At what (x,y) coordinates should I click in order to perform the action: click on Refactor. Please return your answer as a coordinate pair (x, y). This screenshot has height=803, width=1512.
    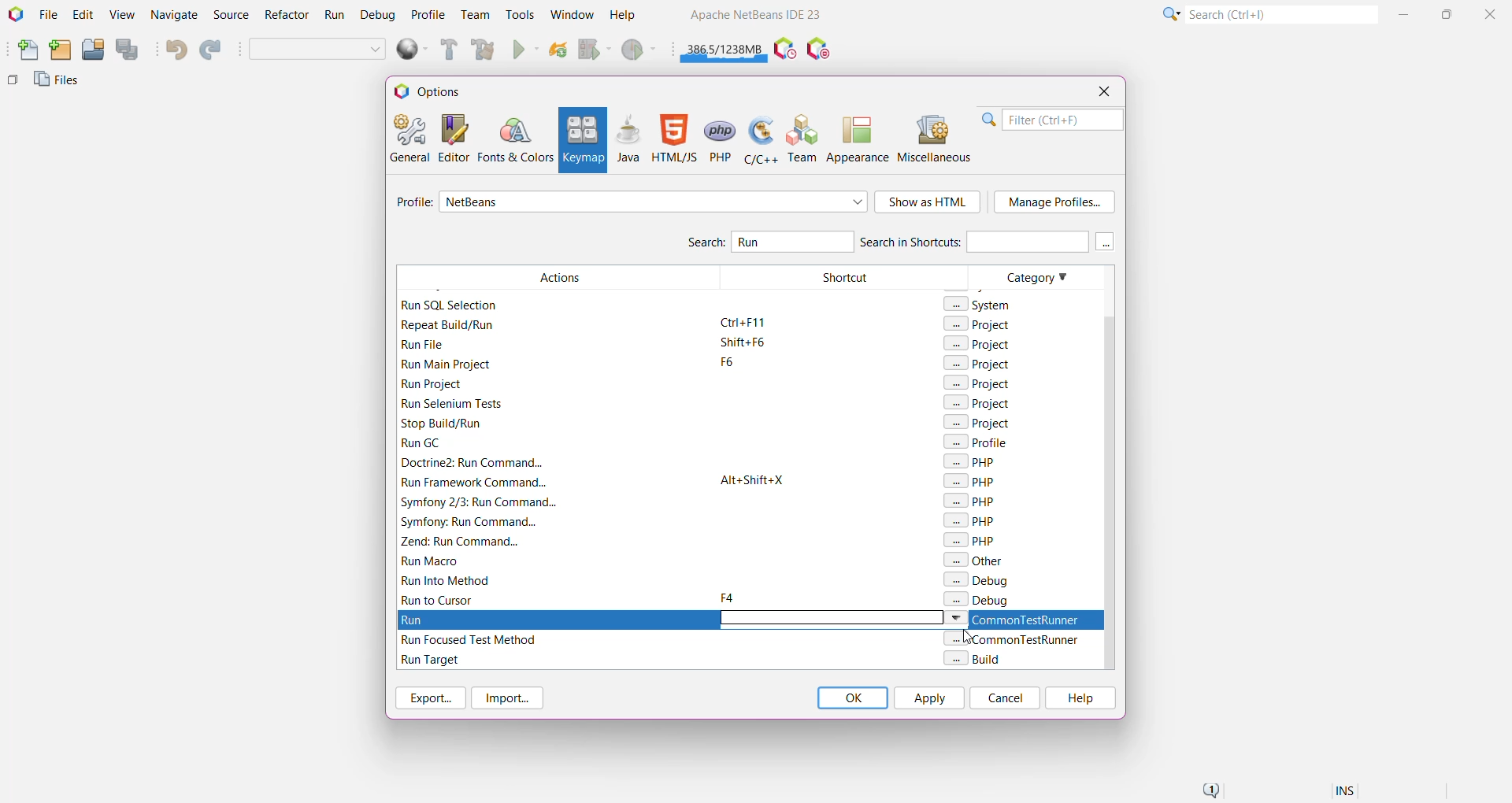
    Looking at the image, I should click on (288, 17).